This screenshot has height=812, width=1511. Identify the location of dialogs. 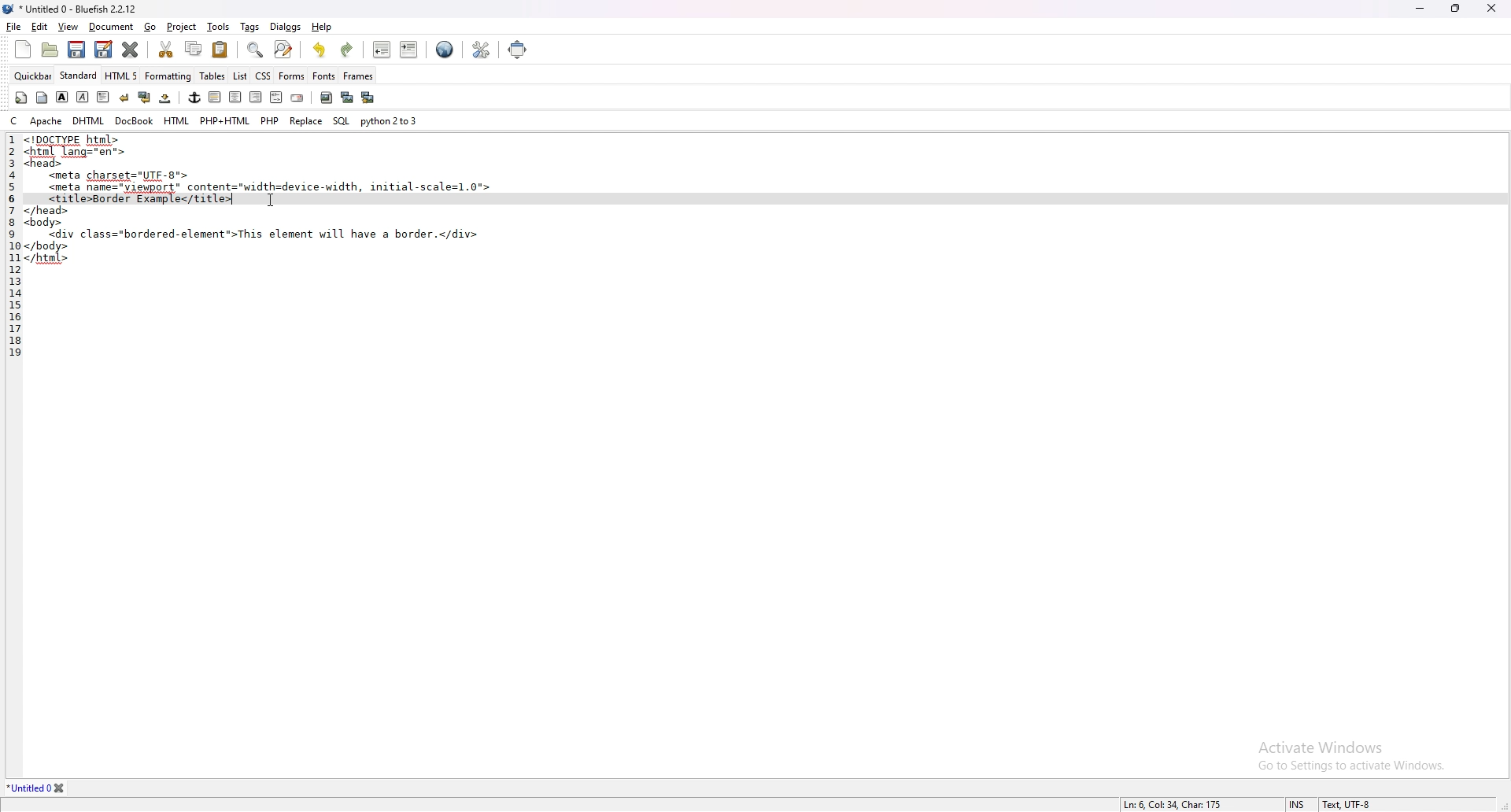
(285, 26).